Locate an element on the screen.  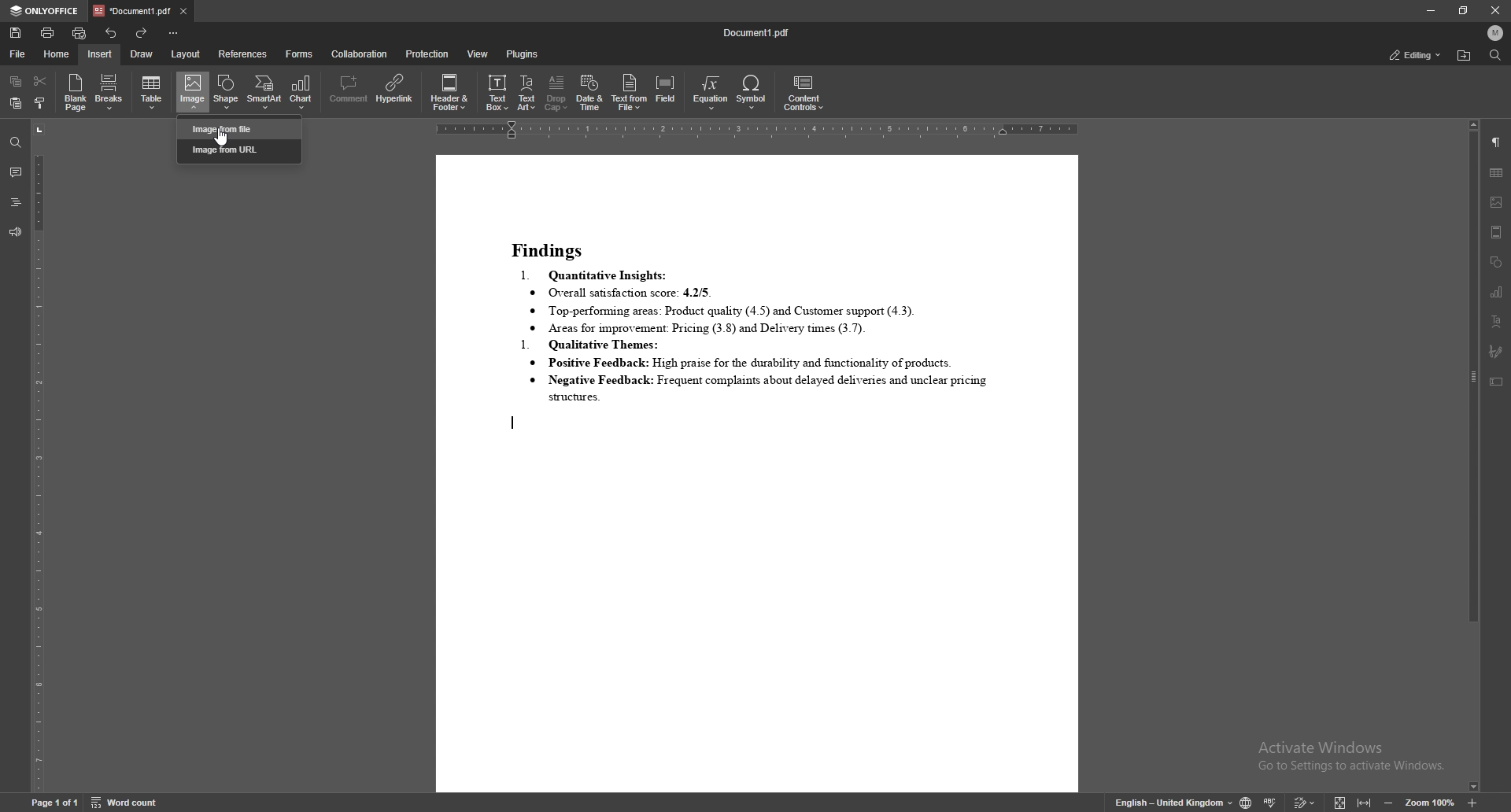
view is located at coordinates (478, 54).